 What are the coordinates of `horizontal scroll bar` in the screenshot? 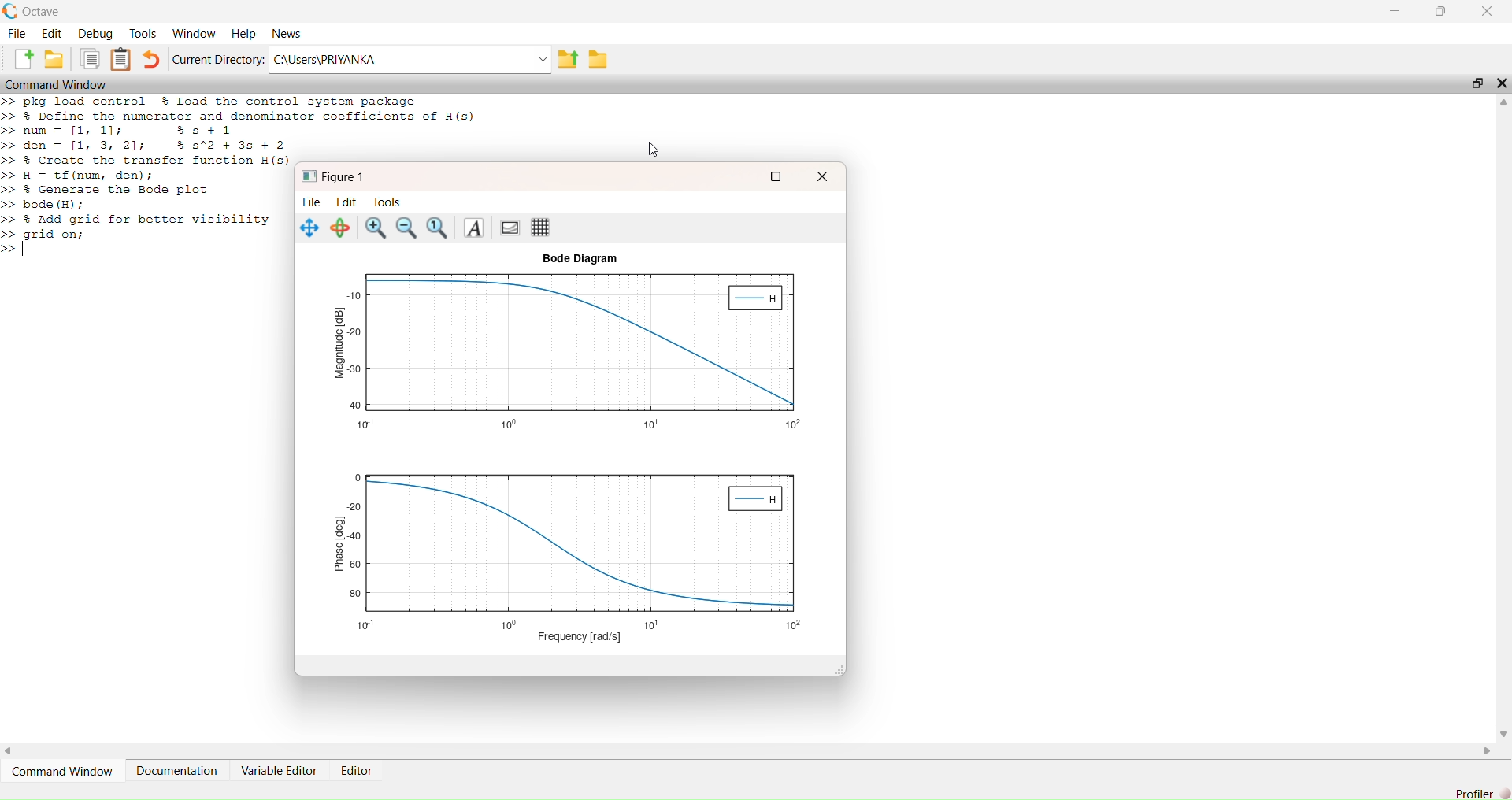 It's located at (749, 750).